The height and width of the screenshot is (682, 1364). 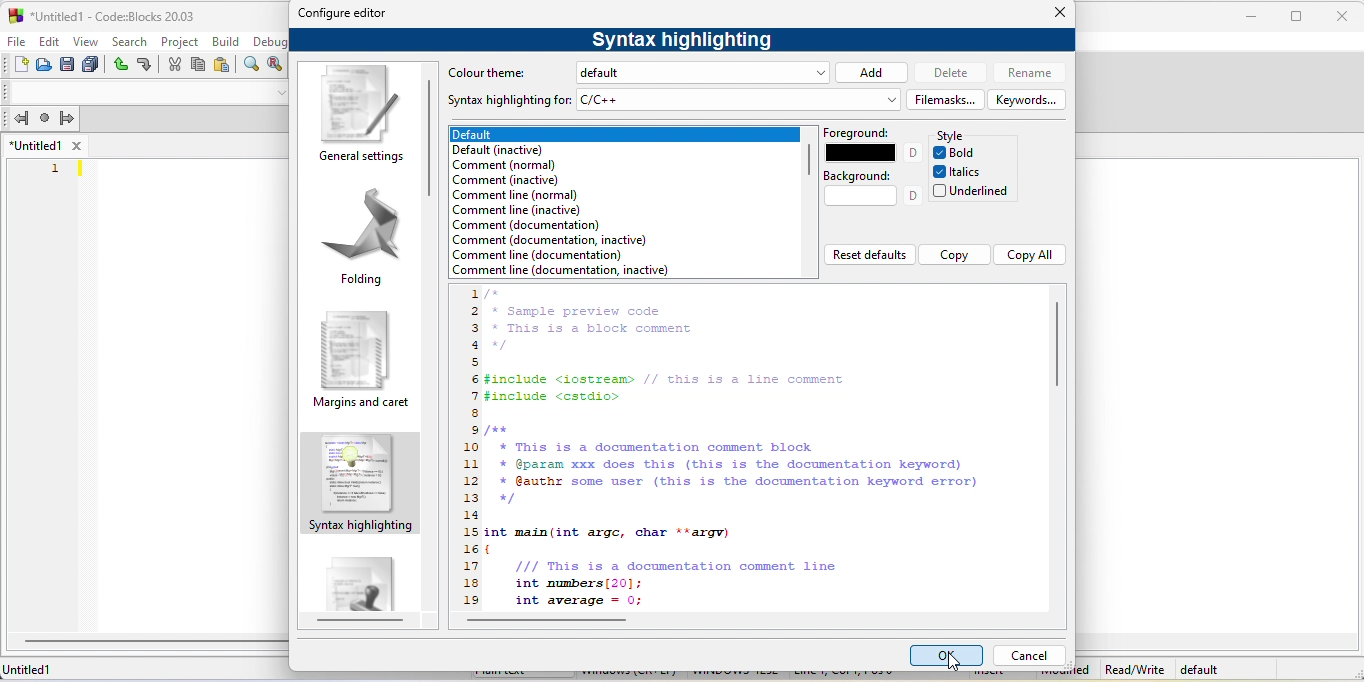 I want to click on vertical scroll bar, so click(x=808, y=161).